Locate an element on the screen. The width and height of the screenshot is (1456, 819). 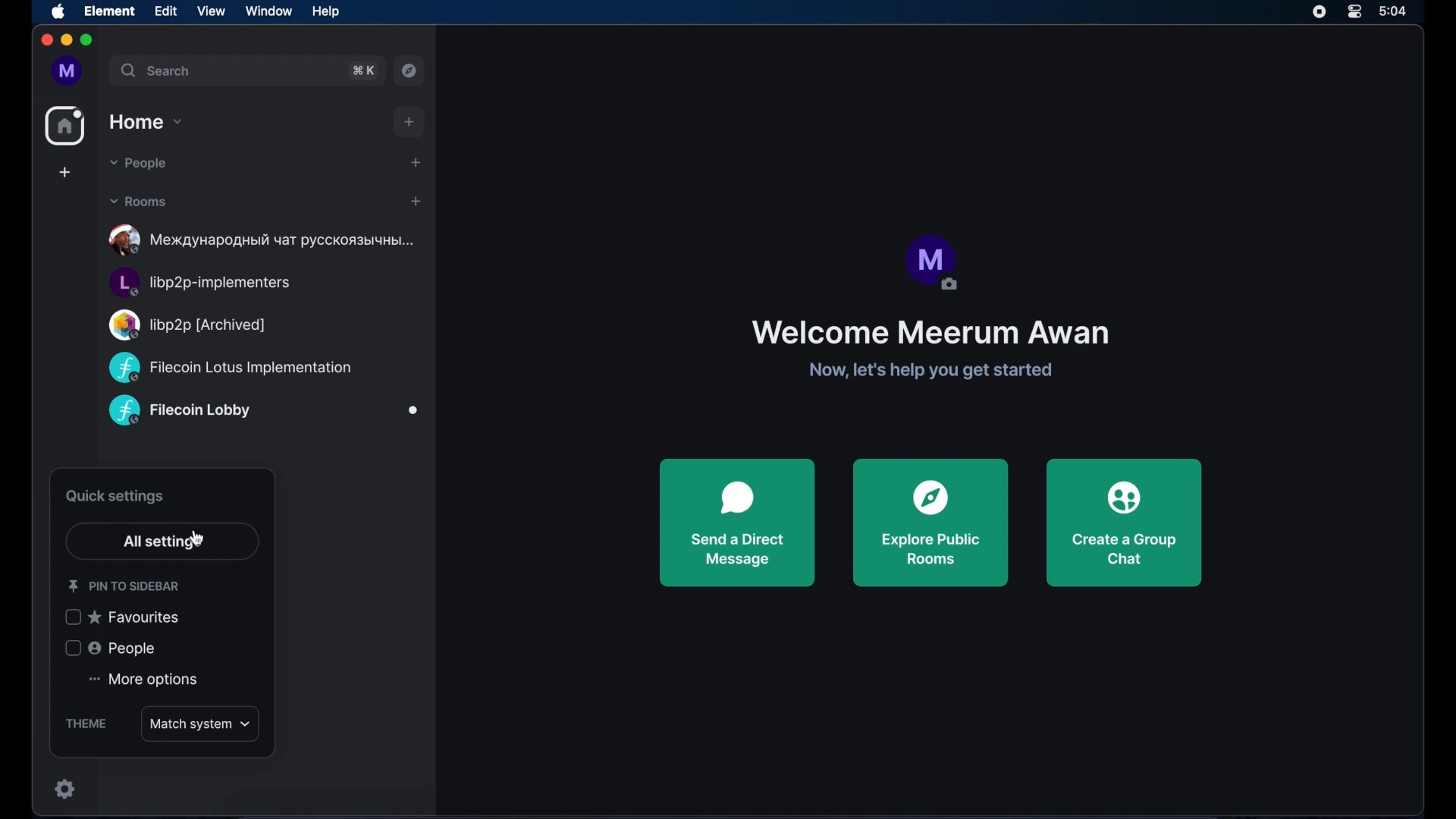
explore public rooms is located at coordinates (930, 522).